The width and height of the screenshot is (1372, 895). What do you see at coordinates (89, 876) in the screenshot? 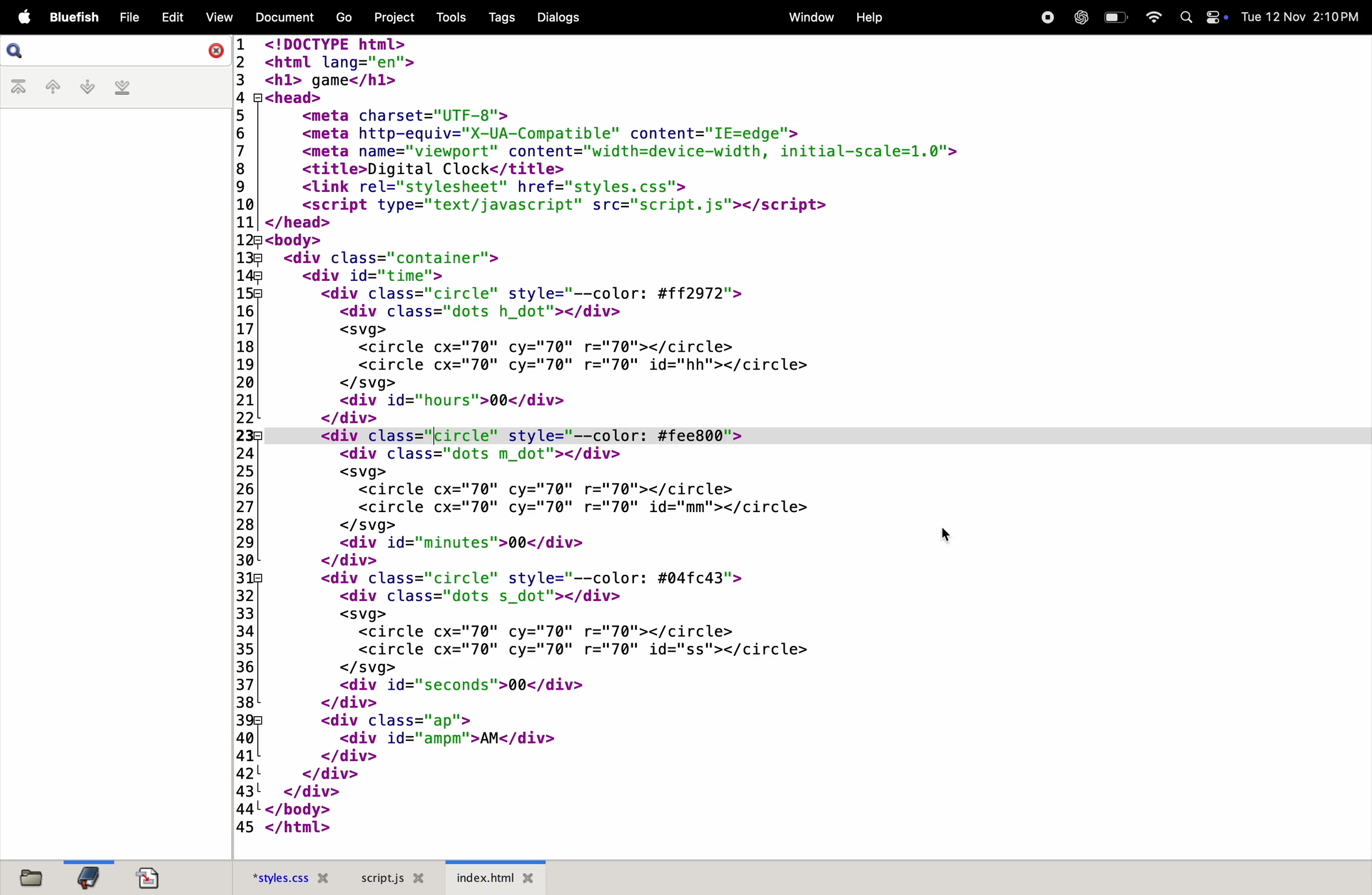
I see `bookmark` at bounding box center [89, 876].